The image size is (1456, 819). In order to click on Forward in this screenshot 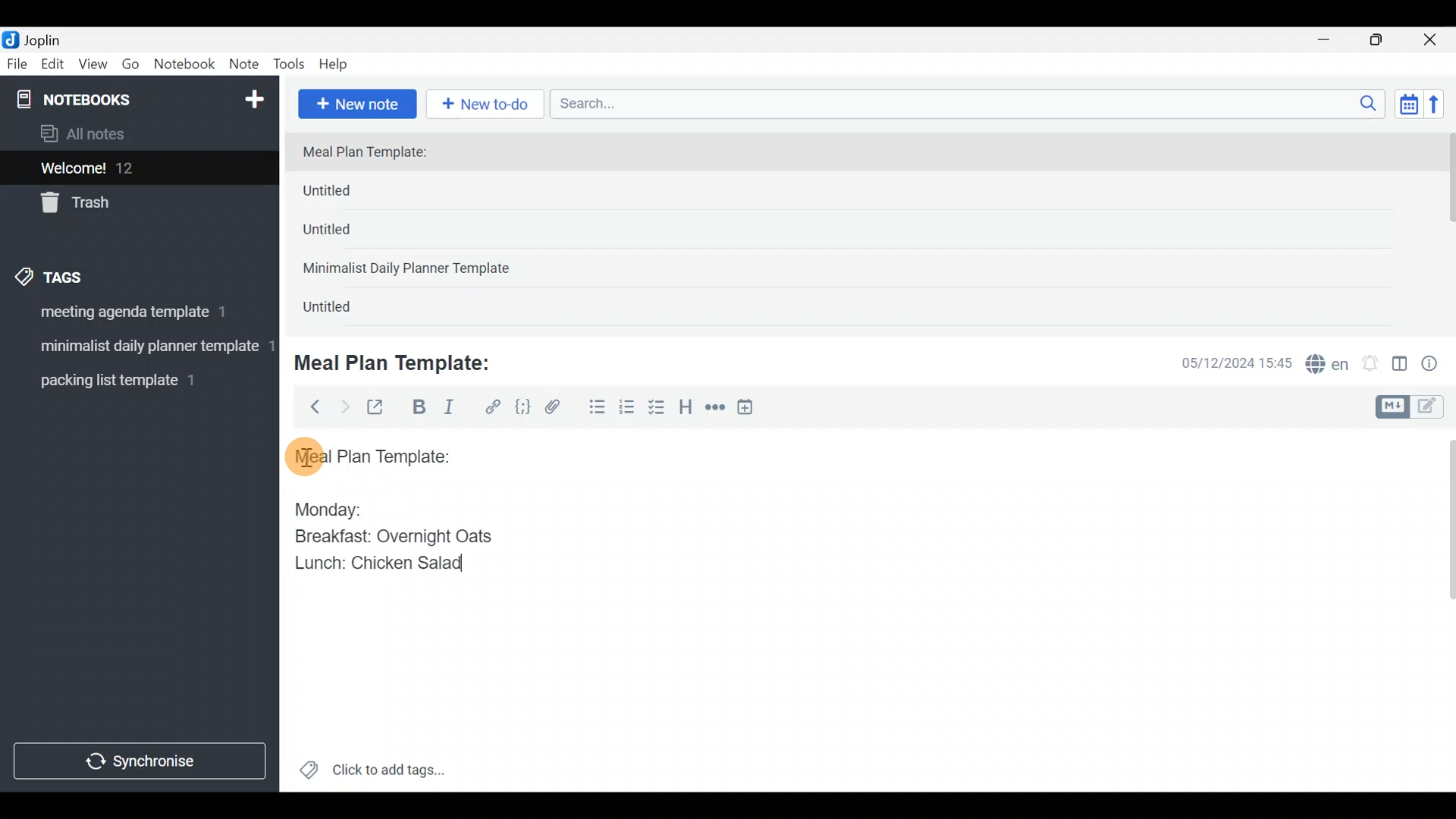, I will do `click(344, 406)`.